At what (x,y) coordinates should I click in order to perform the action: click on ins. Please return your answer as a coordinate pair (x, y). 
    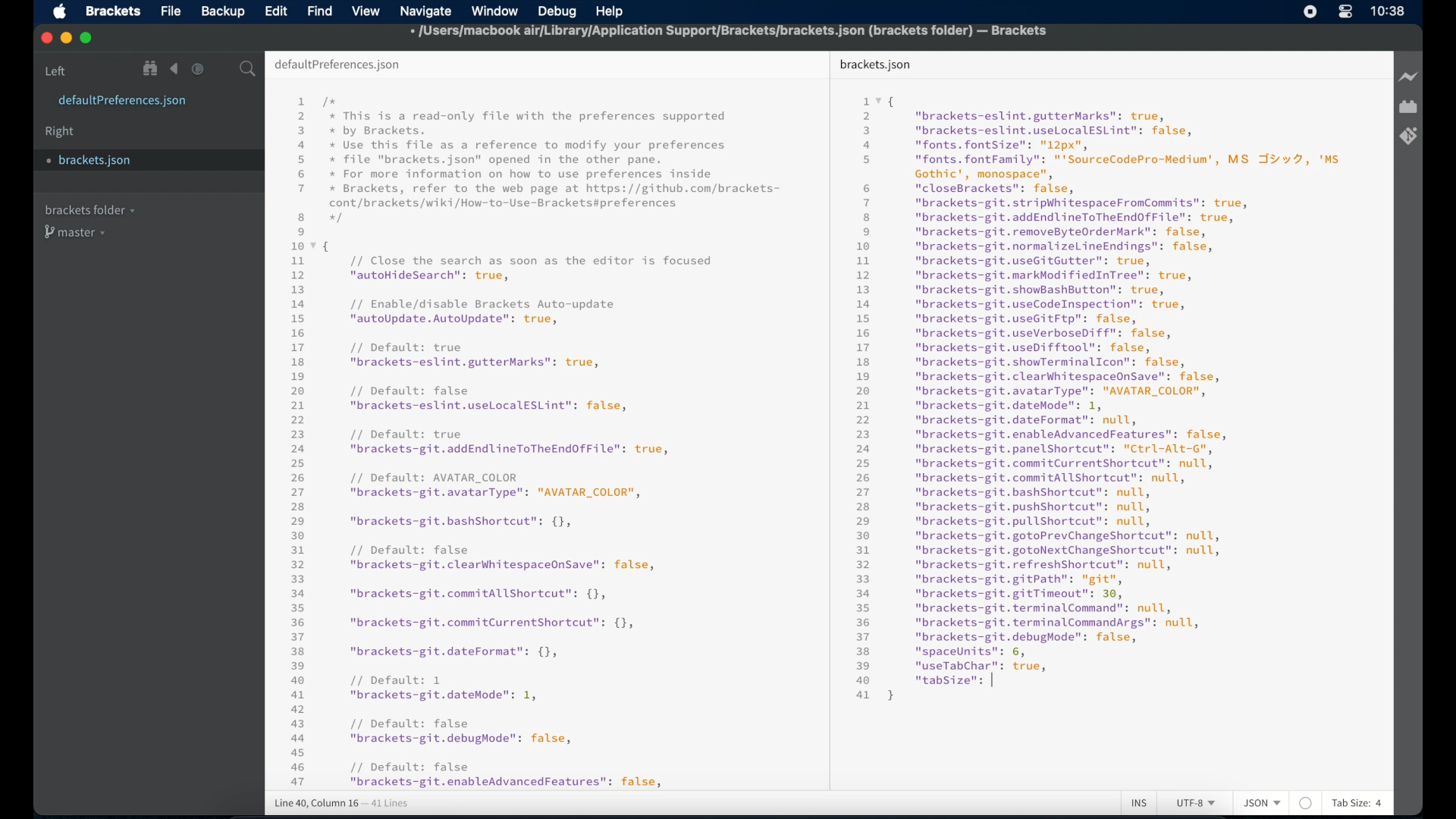
    Looking at the image, I should click on (1139, 804).